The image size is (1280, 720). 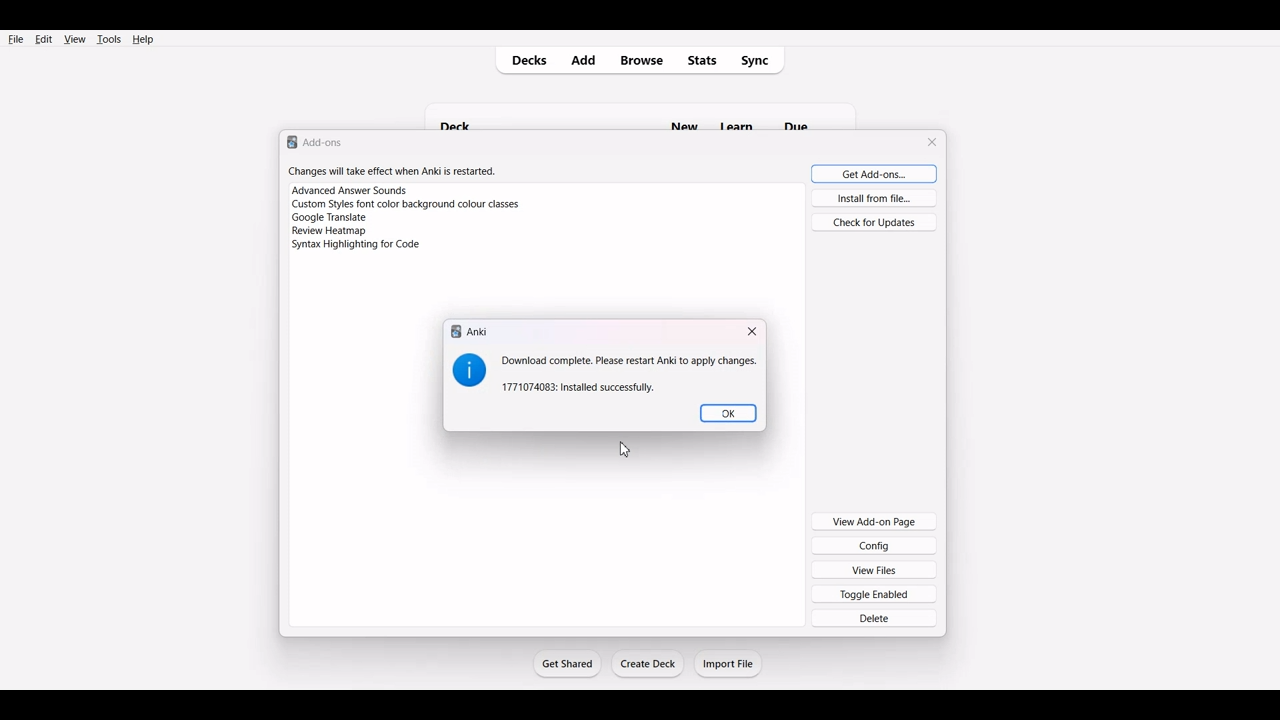 I want to click on Close, so click(x=752, y=330).